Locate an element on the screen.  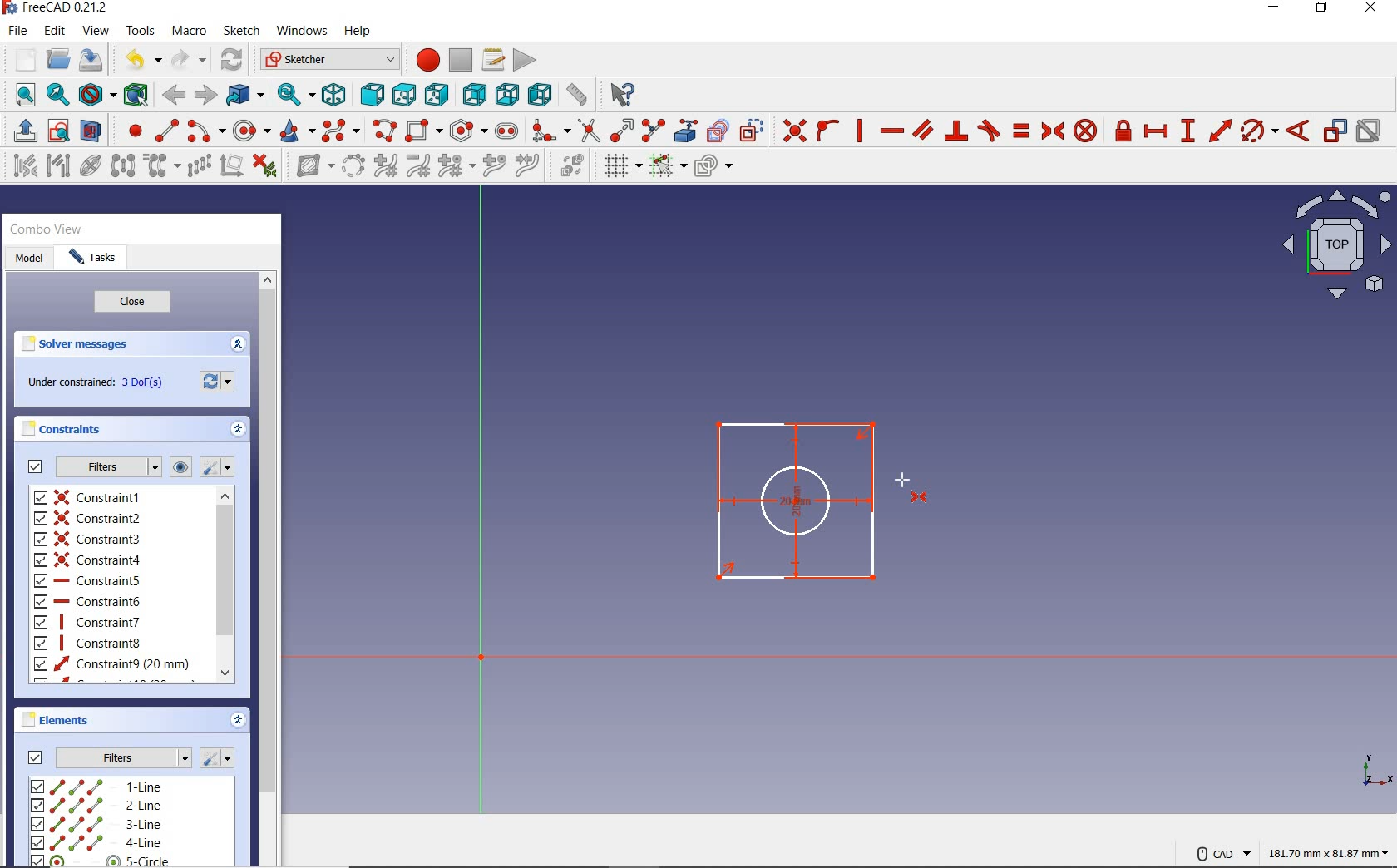
sync view is located at coordinates (295, 94).